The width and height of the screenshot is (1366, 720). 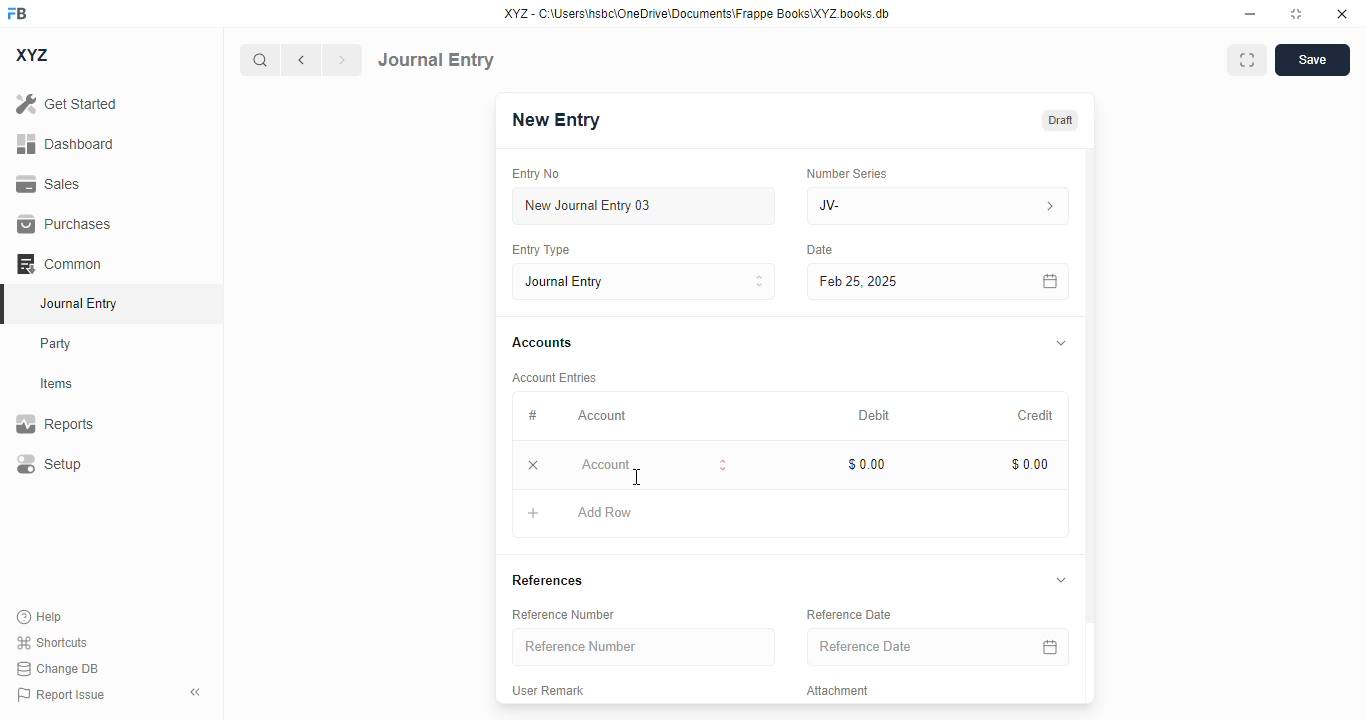 What do you see at coordinates (55, 423) in the screenshot?
I see `reports` at bounding box center [55, 423].